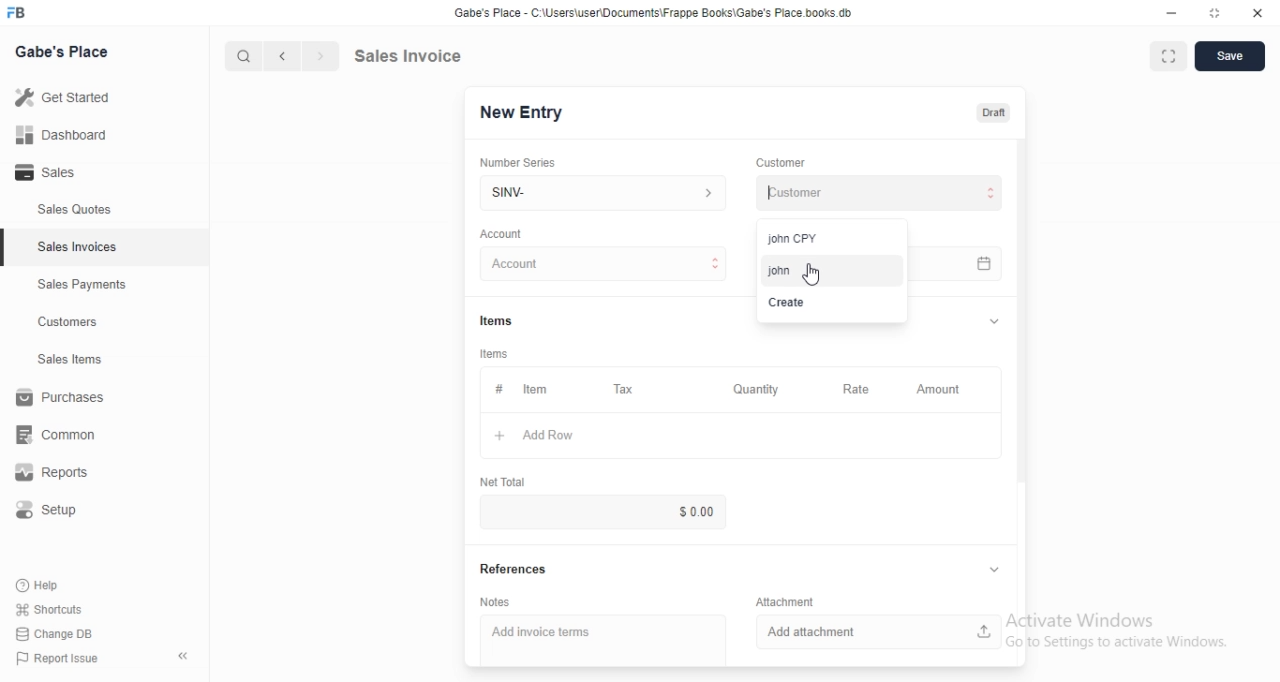  What do you see at coordinates (628, 390) in the screenshot?
I see `Tax` at bounding box center [628, 390].